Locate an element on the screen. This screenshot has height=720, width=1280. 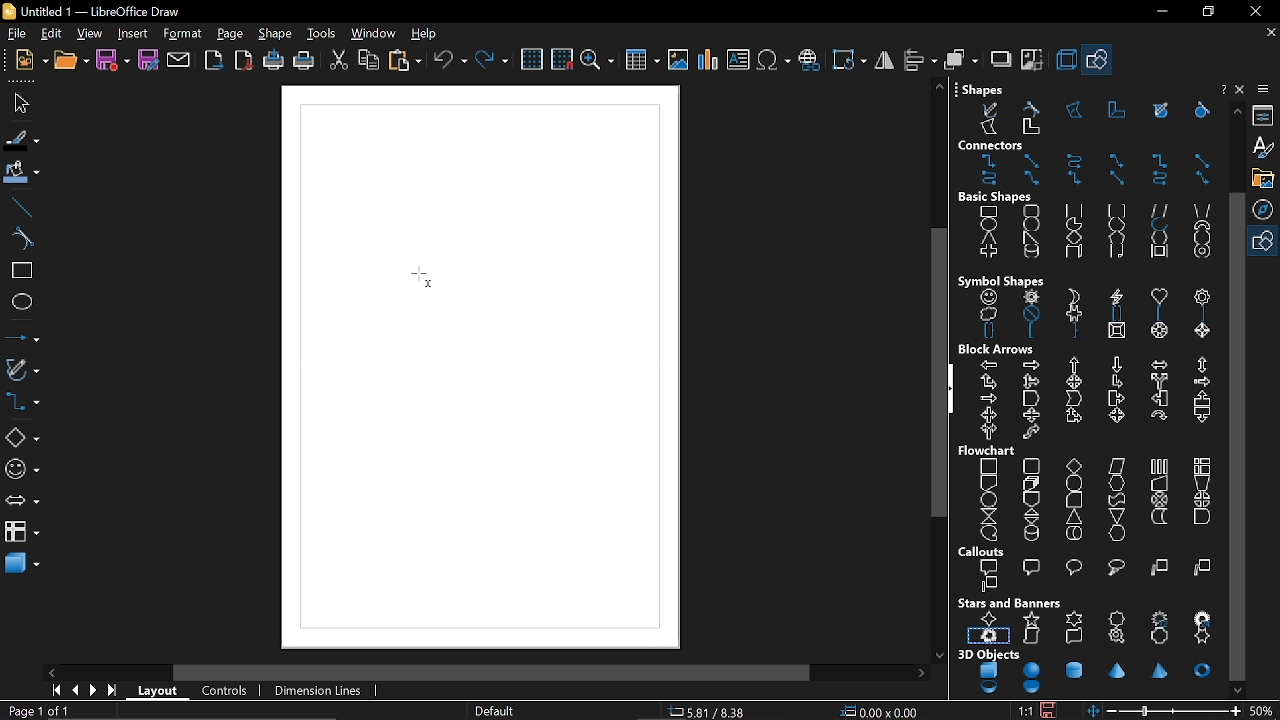
Cursor is located at coordinates (420, 278).